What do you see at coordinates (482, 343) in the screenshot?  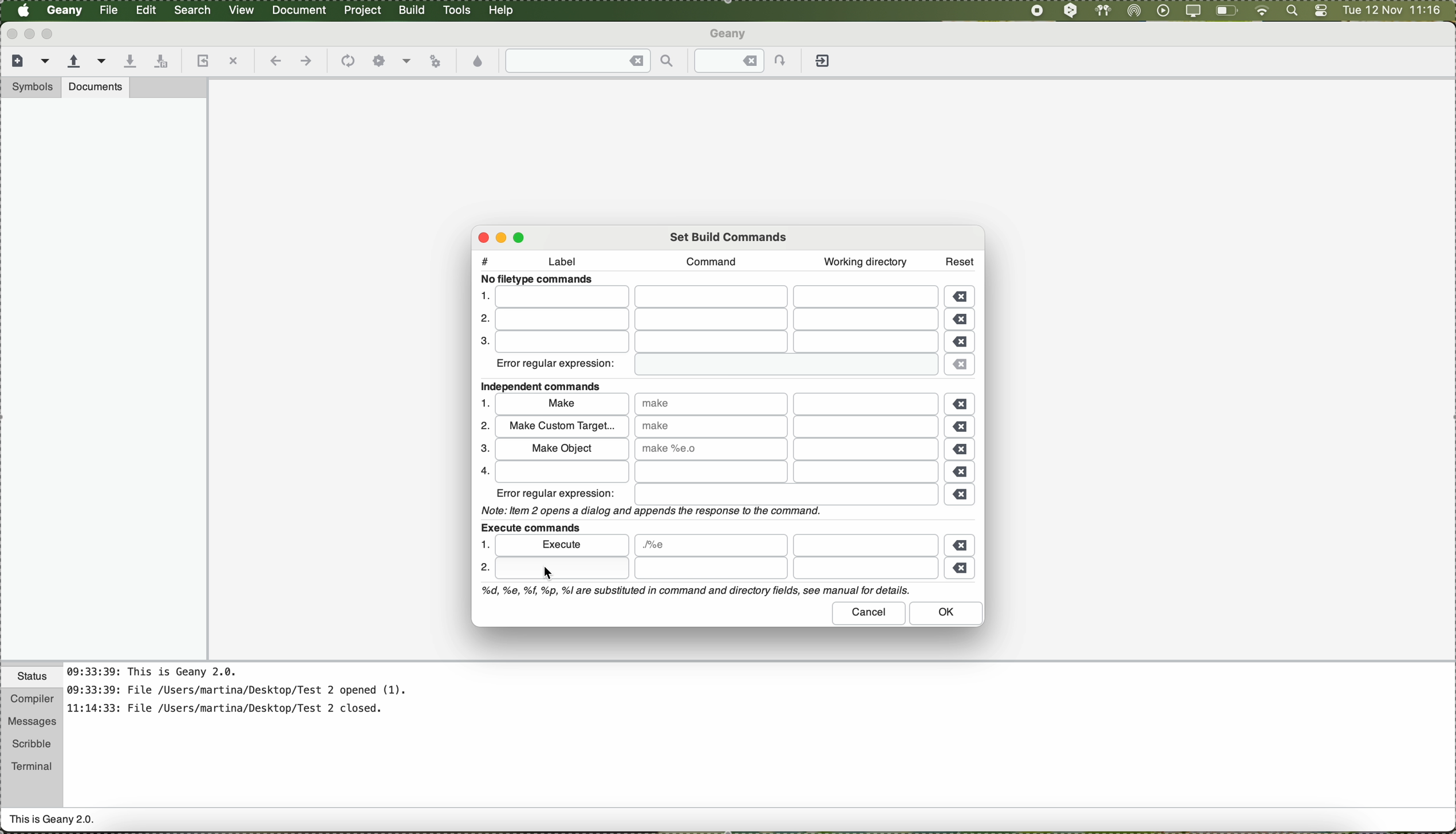 I see `3` at bounding box center [482, 343].